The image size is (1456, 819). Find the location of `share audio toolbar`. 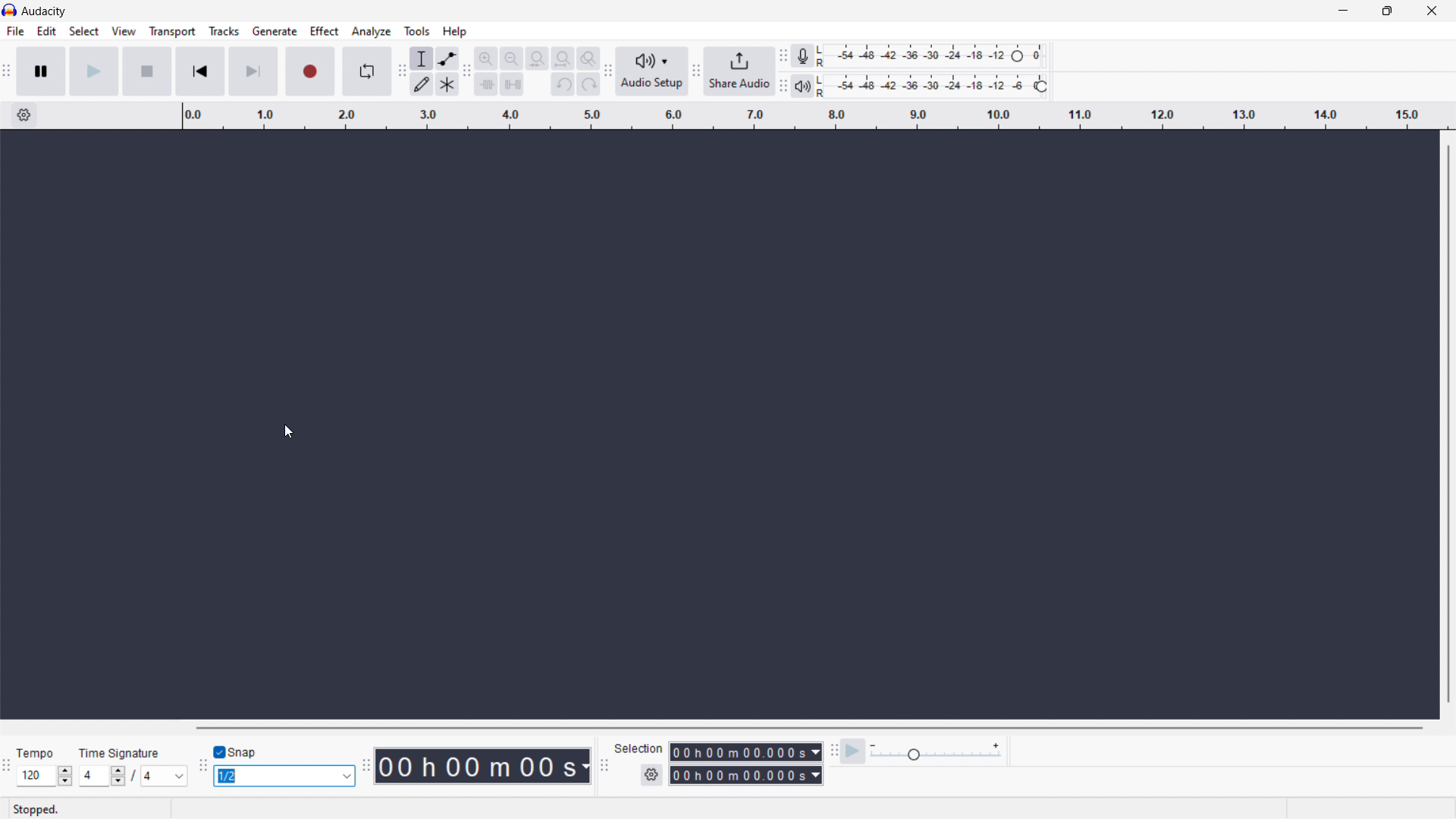

share audio toolbar is located at coordinates (696, 71).